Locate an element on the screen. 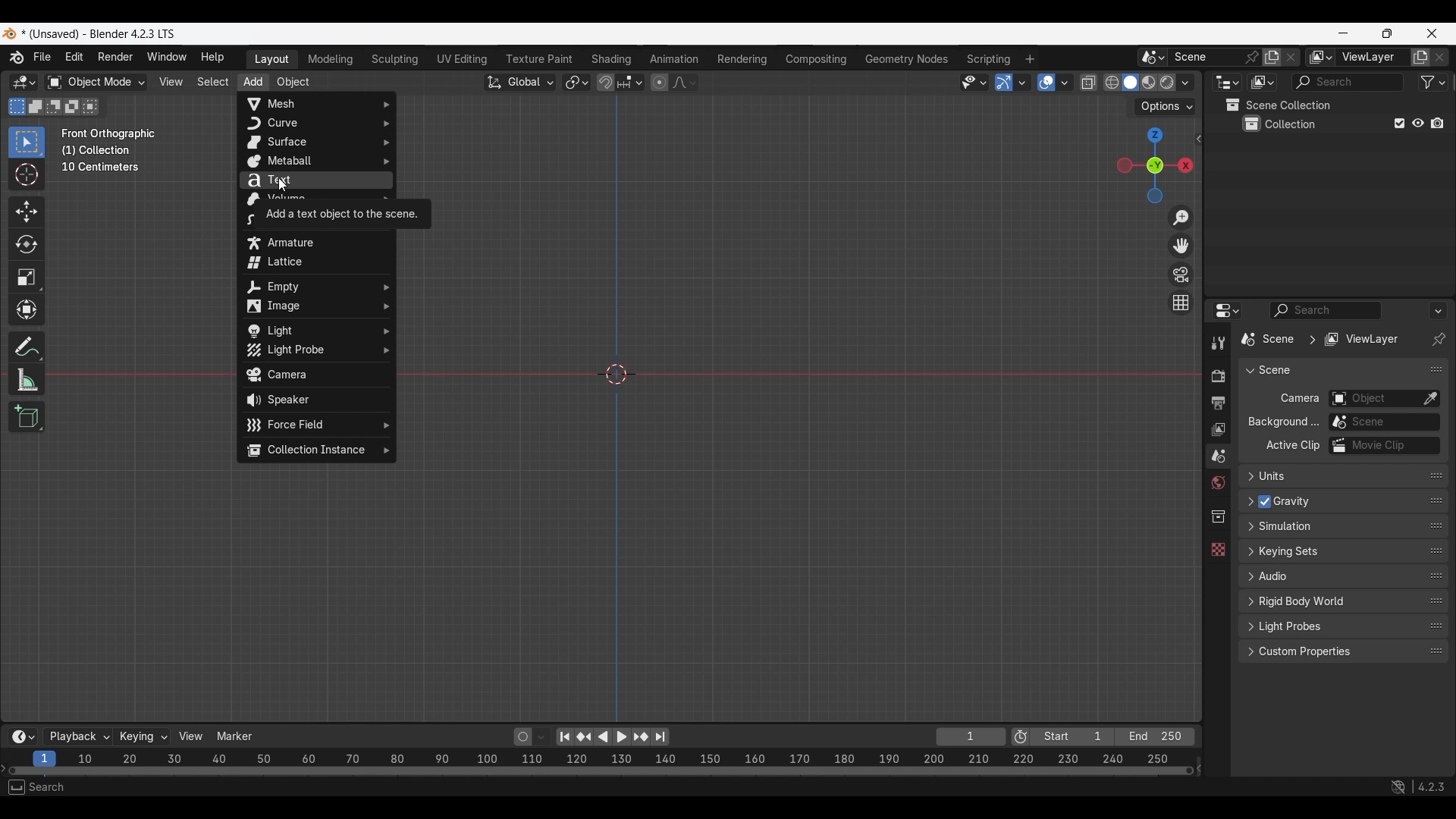 The height and width of the screenshot is (819, 1456). Click to expand Custom properties is located at coordinates (1333, 651).